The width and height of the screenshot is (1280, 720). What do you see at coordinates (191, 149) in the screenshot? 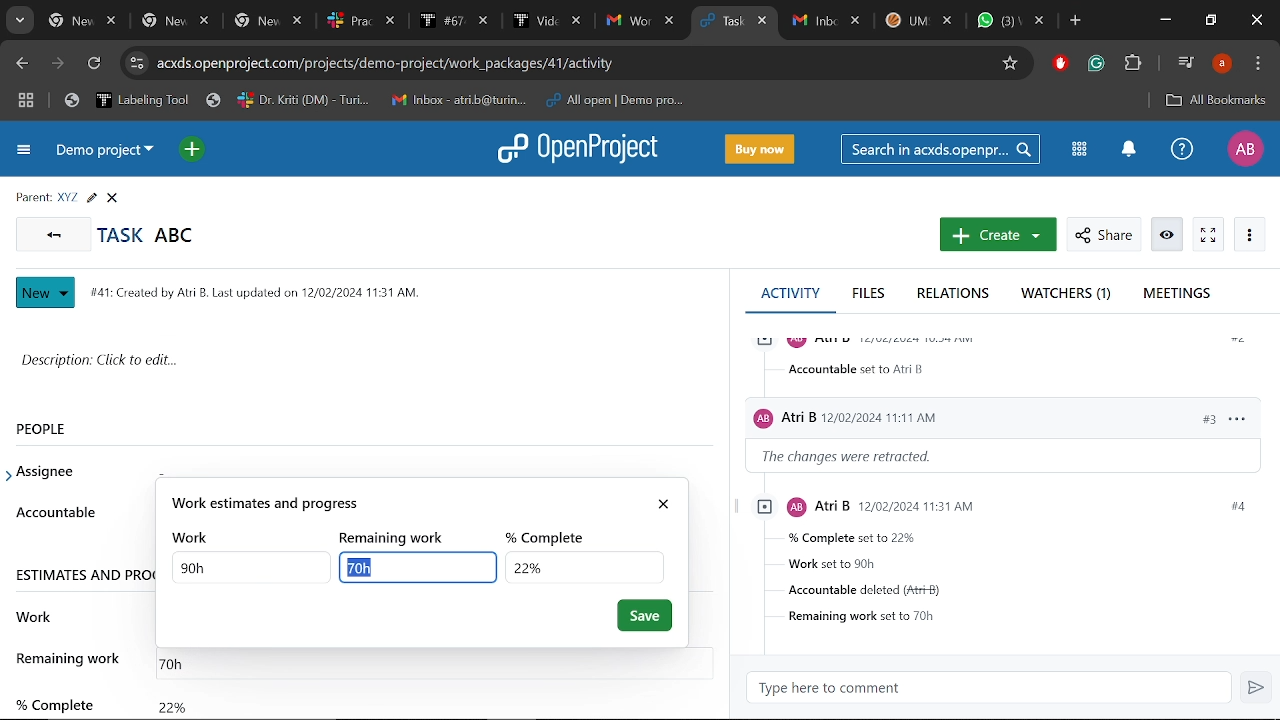
I see `Open quick add menu` at bounding box center [191, 149].